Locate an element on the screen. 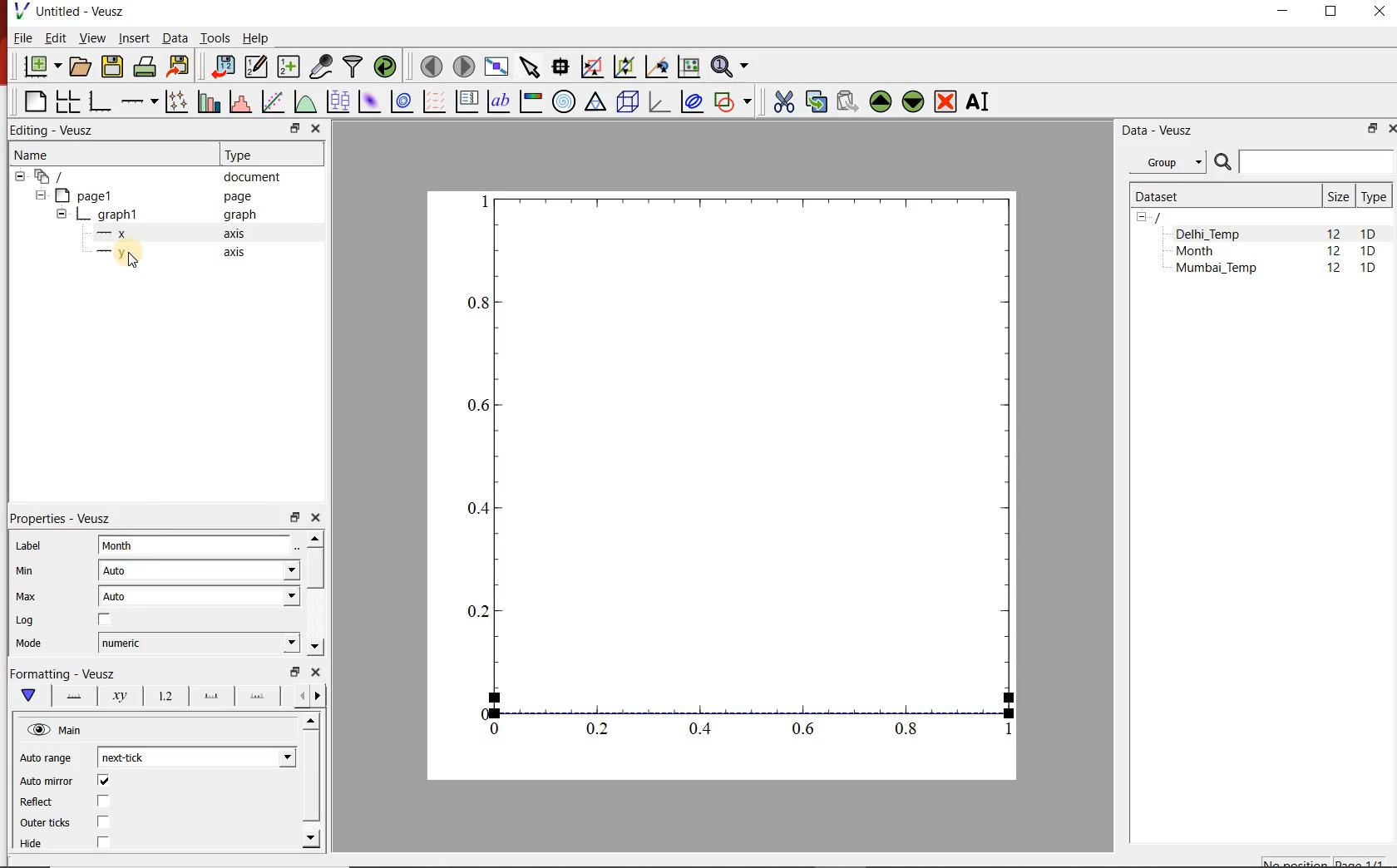  move to the next page is located at coordinates (464, 67).